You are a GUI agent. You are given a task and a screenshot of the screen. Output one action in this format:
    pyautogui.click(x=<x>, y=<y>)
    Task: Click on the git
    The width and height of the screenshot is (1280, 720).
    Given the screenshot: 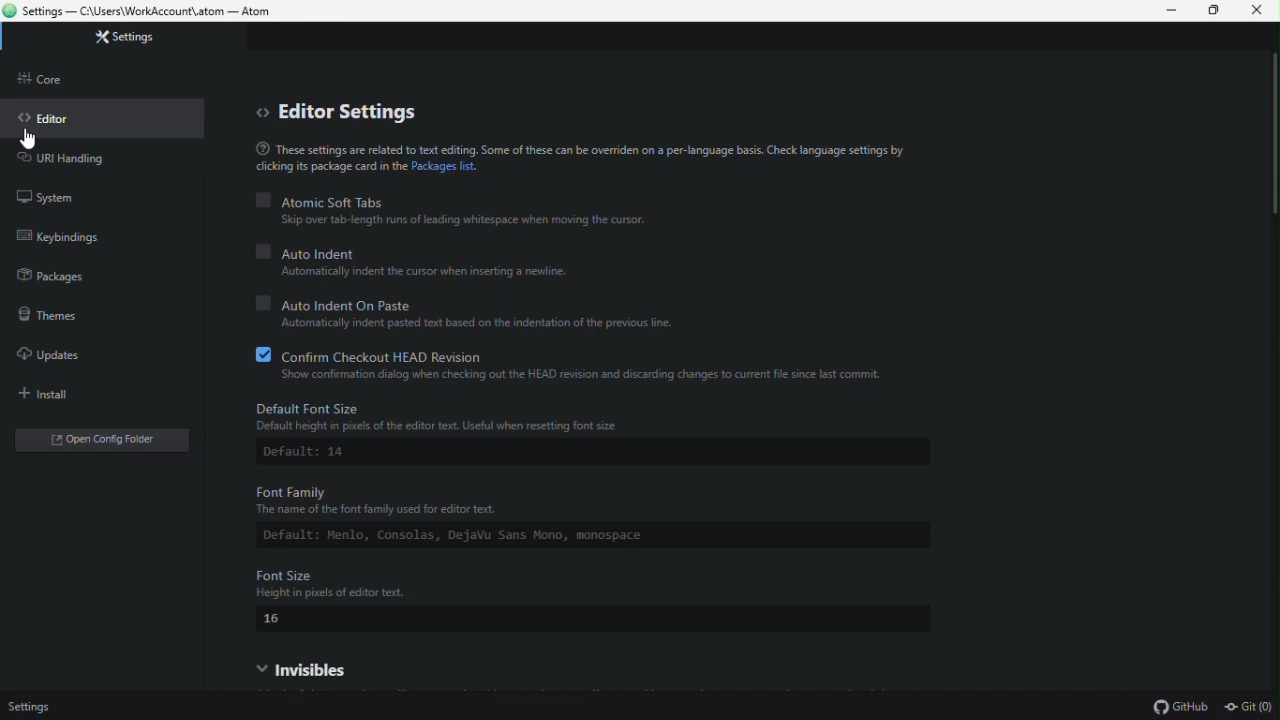 What is the action you would take?
    pyautogui.click(x=1250, y=709)
    